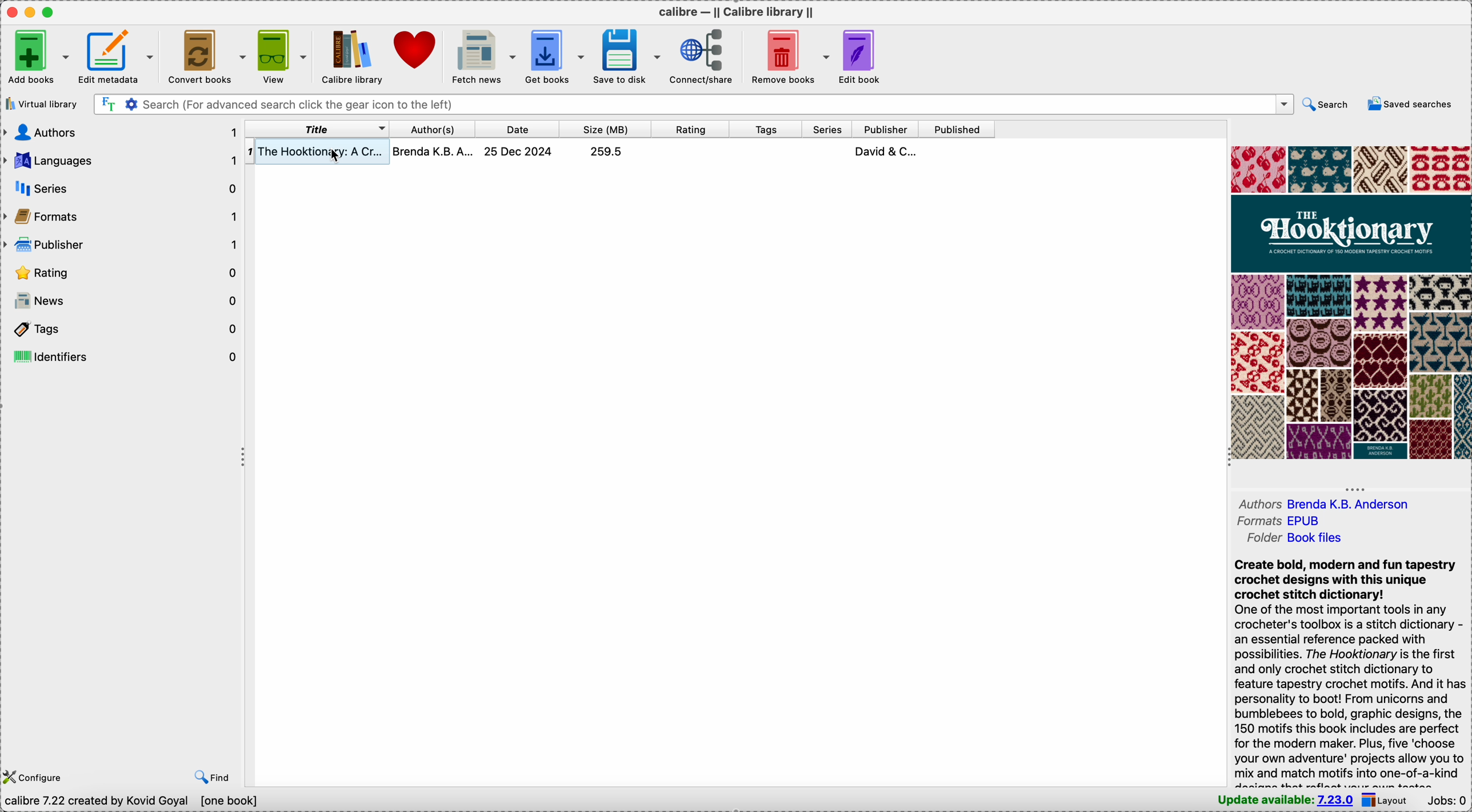 The image size is (1472, 812). What do you see at coordinates (412, 51) in the screenshot?
I see `donate` at bounding box center [412, 51].